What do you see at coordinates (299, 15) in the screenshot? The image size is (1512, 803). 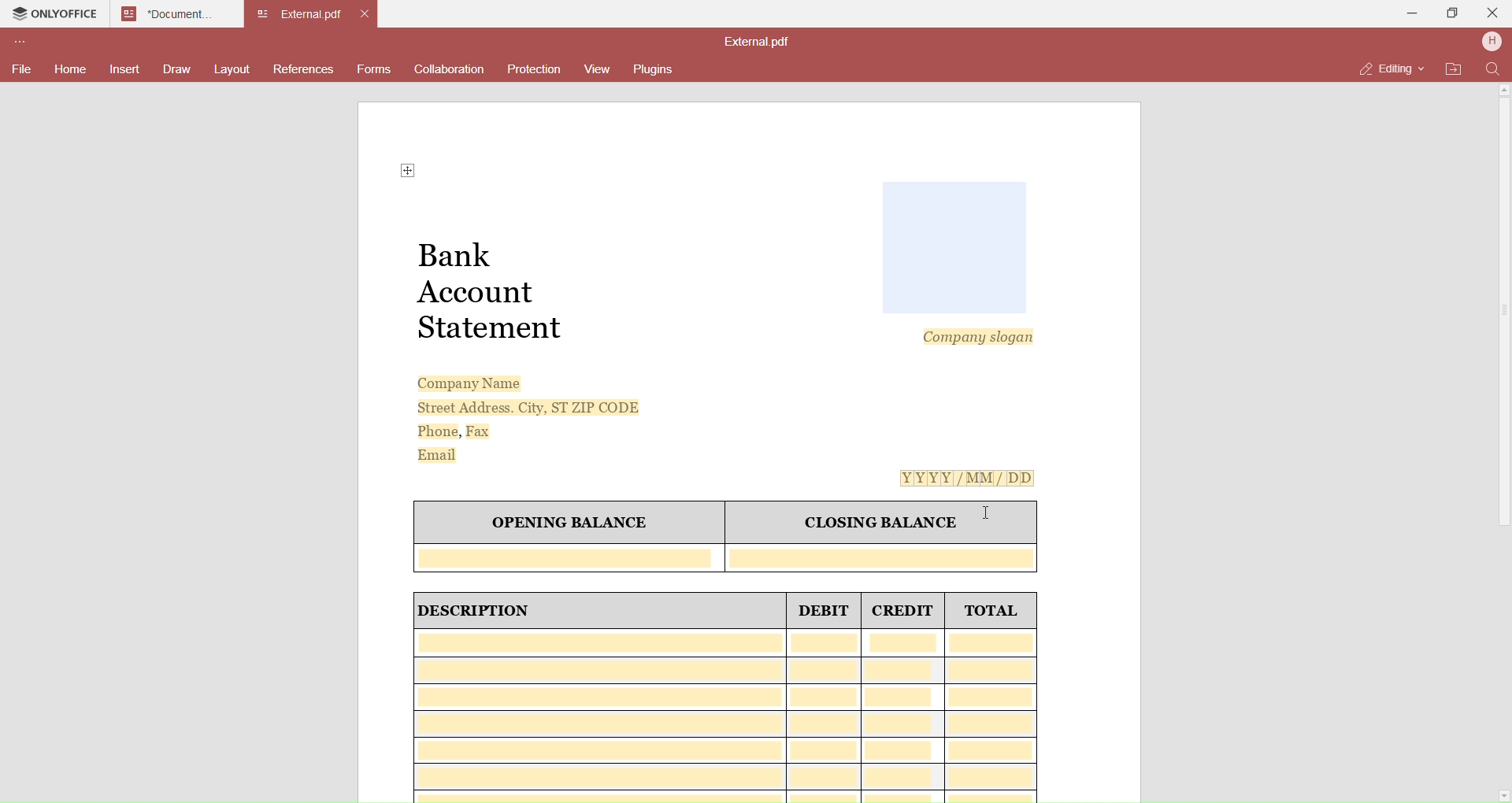 I see `Current document` at bounding box center [299, 15].